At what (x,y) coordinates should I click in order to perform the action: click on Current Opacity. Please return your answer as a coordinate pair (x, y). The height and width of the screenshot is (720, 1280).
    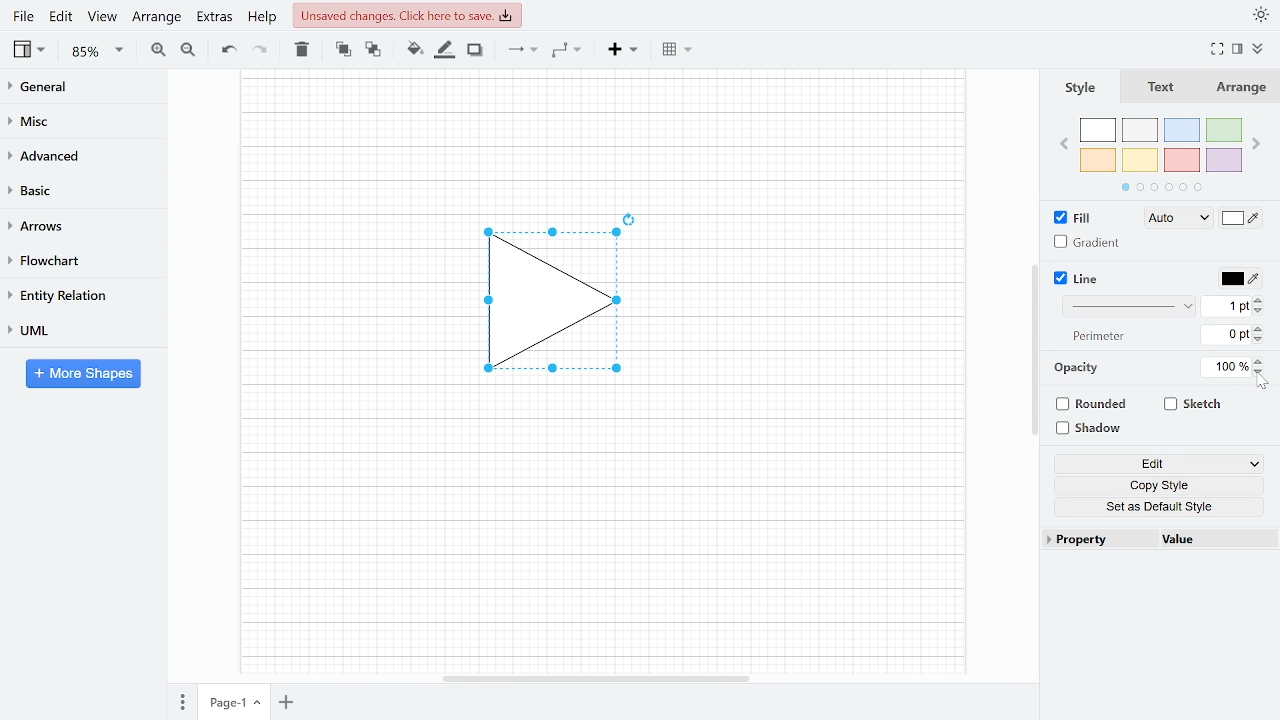
    Looking at the image, I should click on (1223, 366).